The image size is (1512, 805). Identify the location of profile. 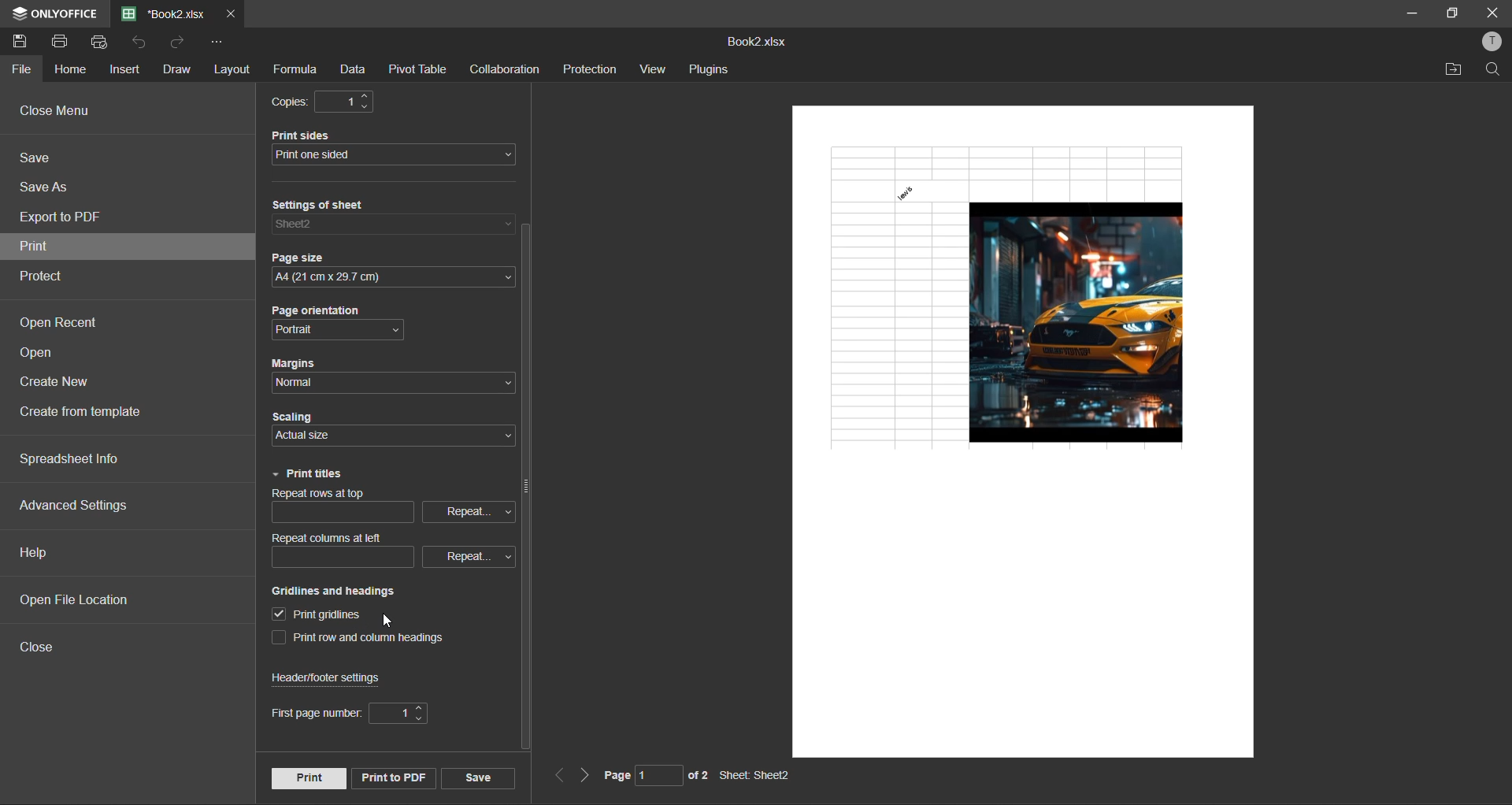
(1490, 42).